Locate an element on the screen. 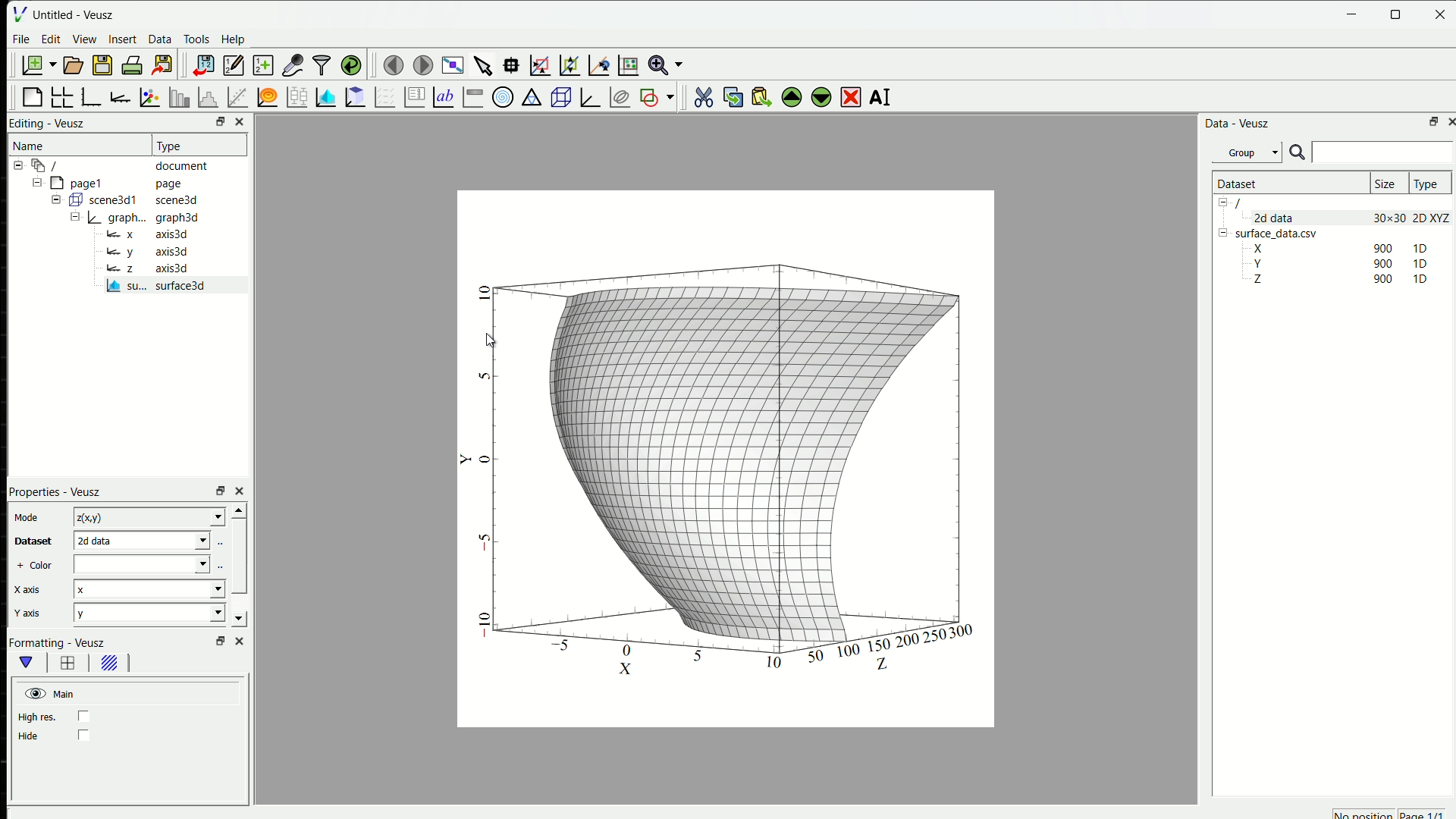  / is located at coordinates (49, 165).